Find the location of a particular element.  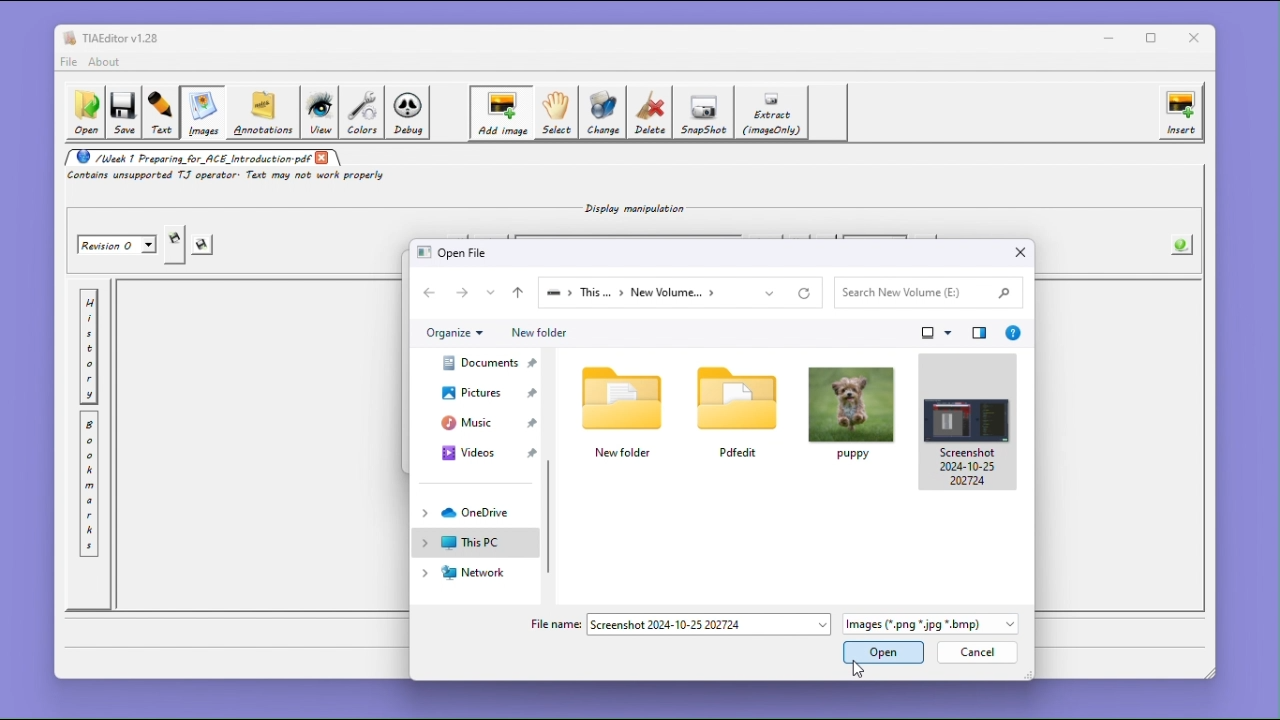

view  is located at coordinates (319, 113).